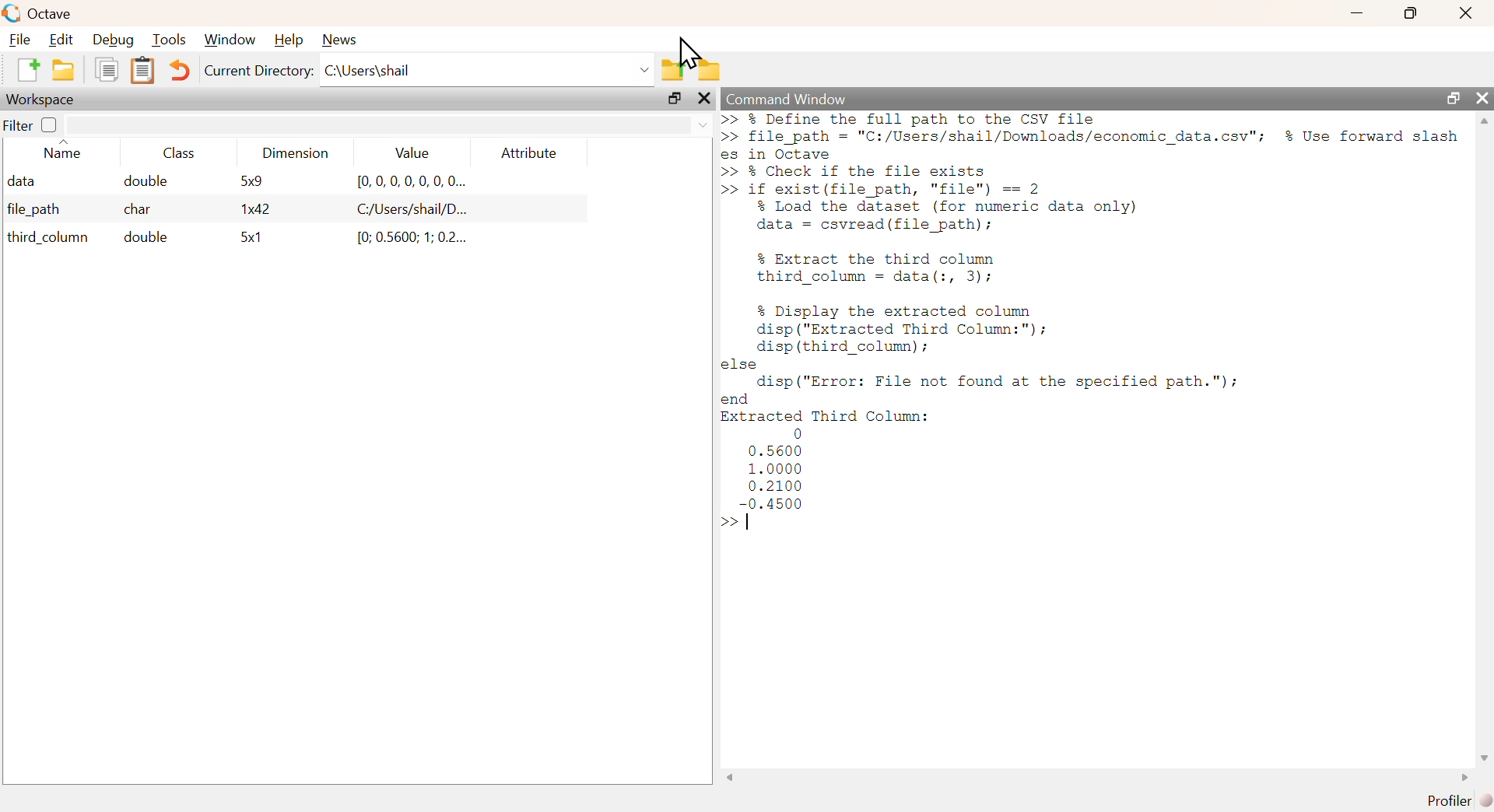 This screenshot has height=812, width=1494. Describe the element at coordinates (27, 182) in the screenshot. I see ` data` at that location.